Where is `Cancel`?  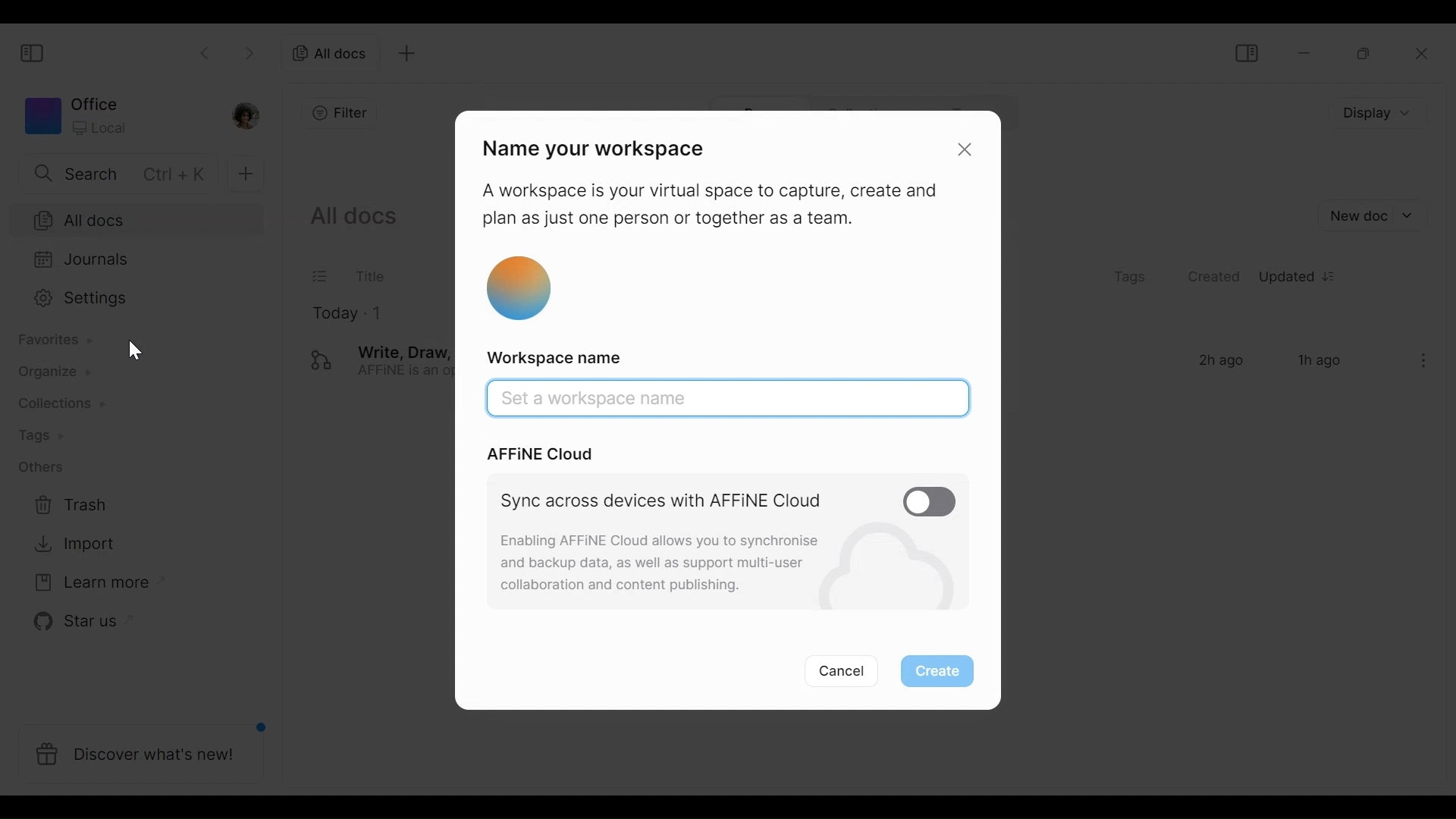
Cancel is located at coordinates (841, 670).